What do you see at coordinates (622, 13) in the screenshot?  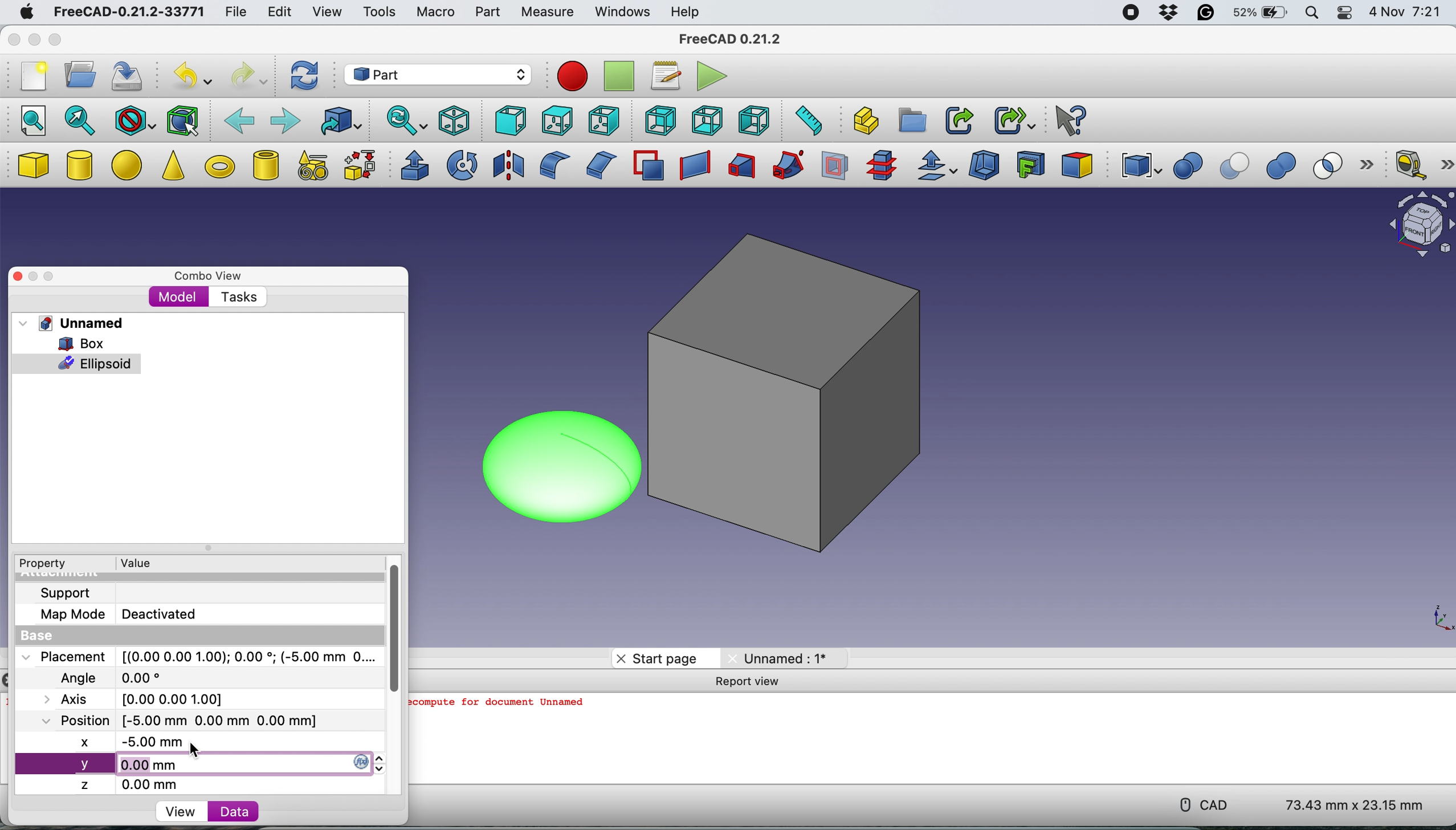 I see `windows` at bounding box center [622, 13].